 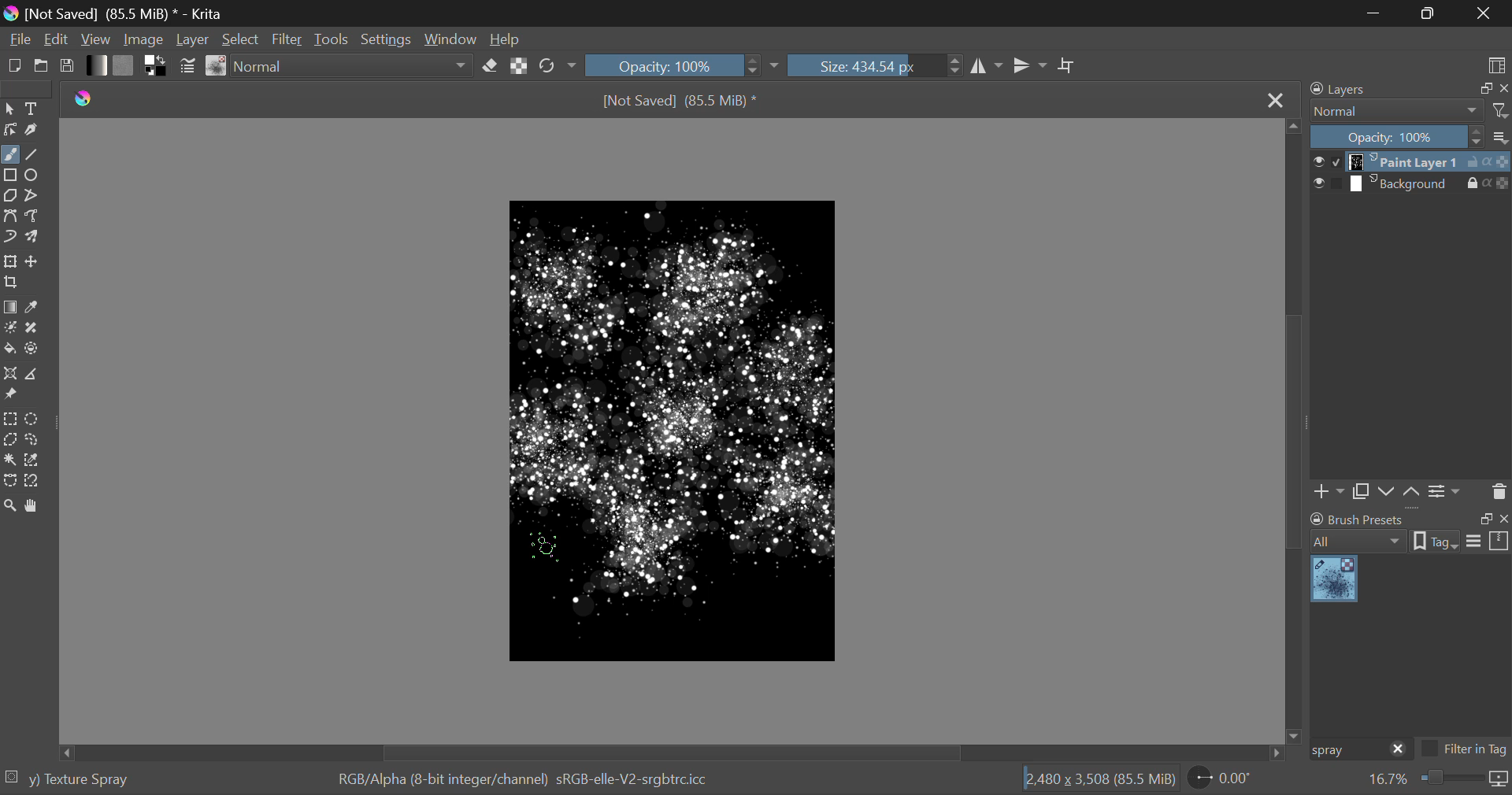 What do you see at coordinates (188, 68) in the screenshot?
I see `Brush Settings` at bounding box center [188, 68].